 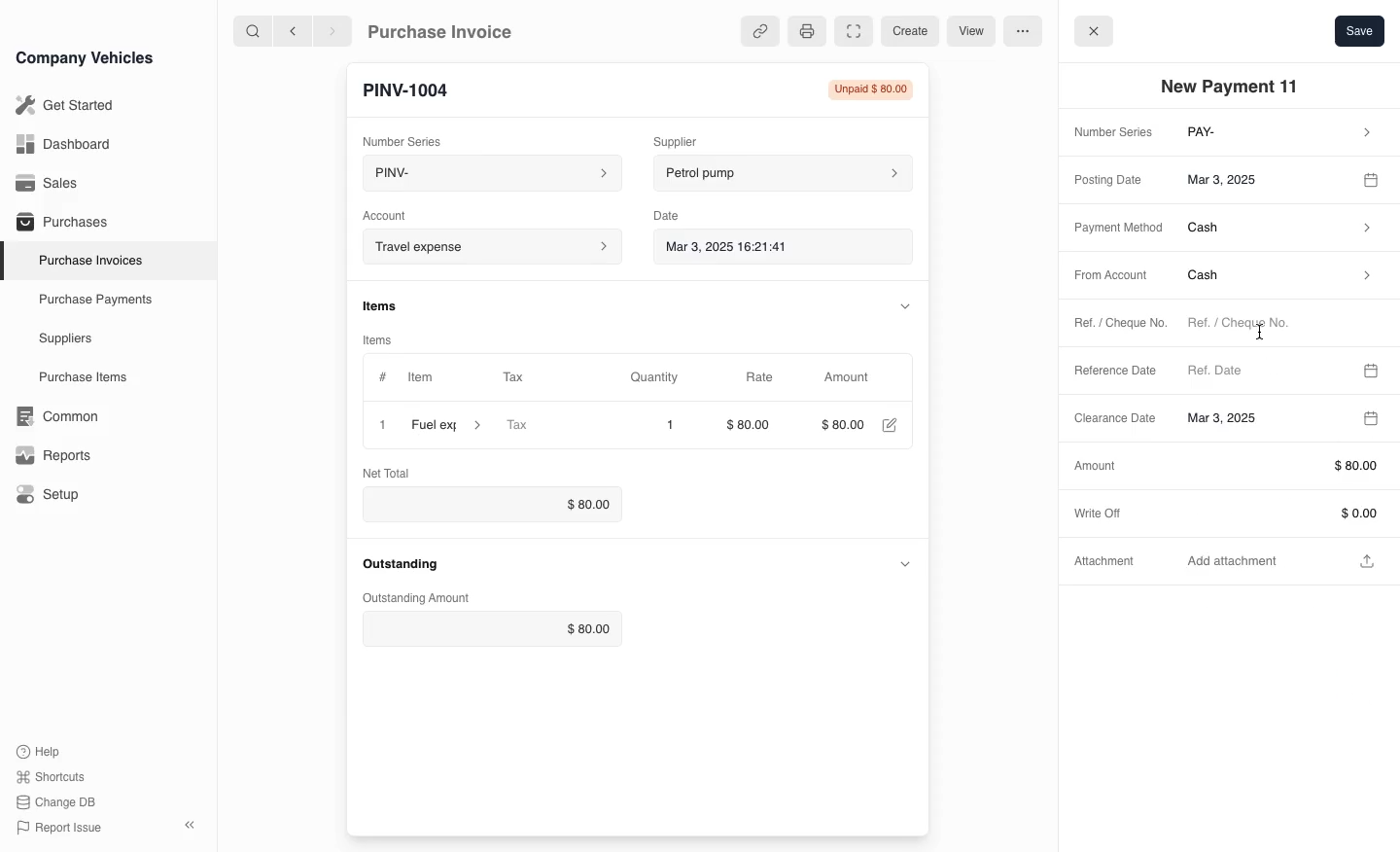 What do you see at coordinates (1022, 30) in the screenshot?
I see `options` at bounding box center [1022, 30].